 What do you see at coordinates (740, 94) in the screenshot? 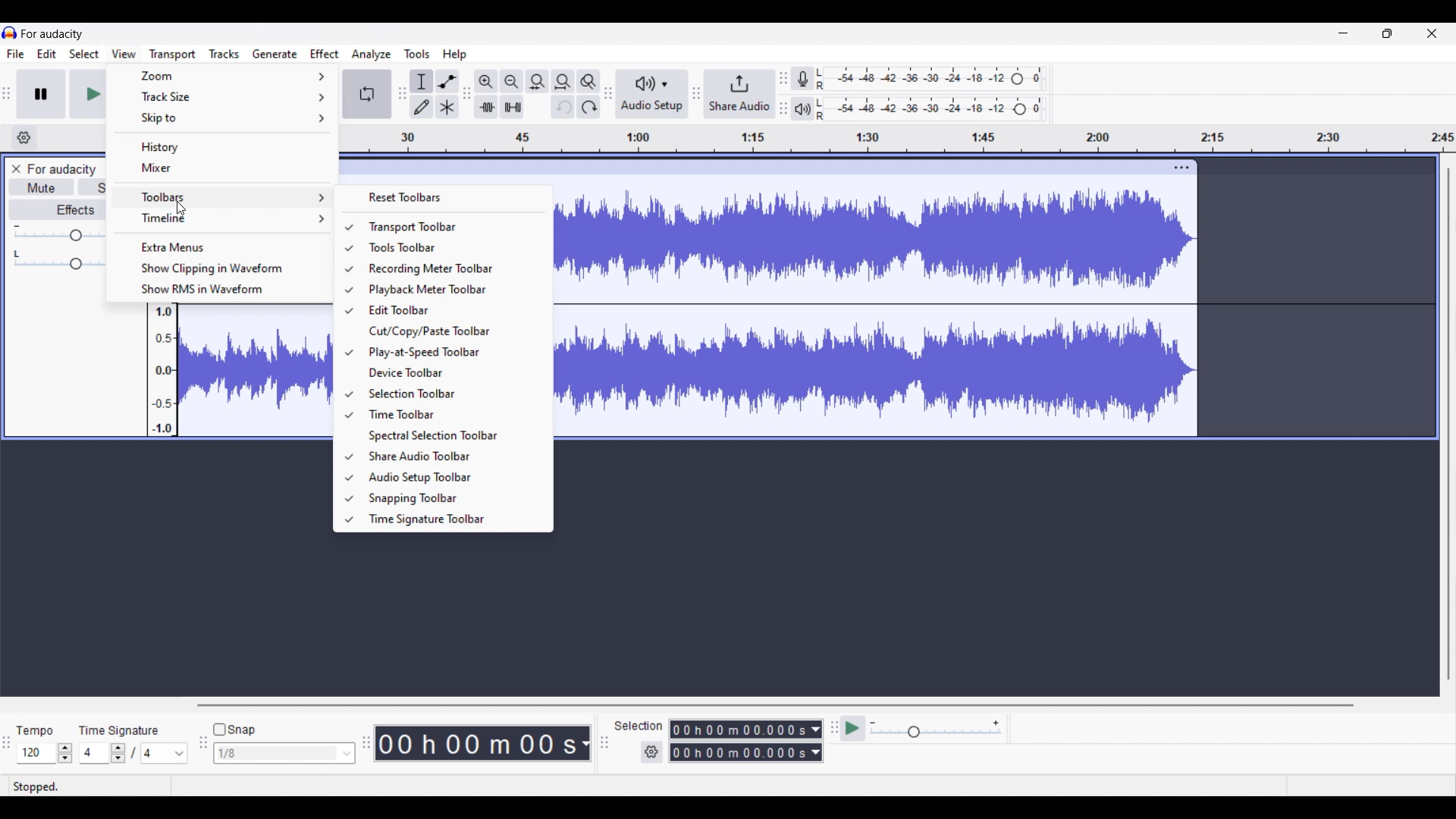
I see `Share audio` at bounding box center [740, 94].